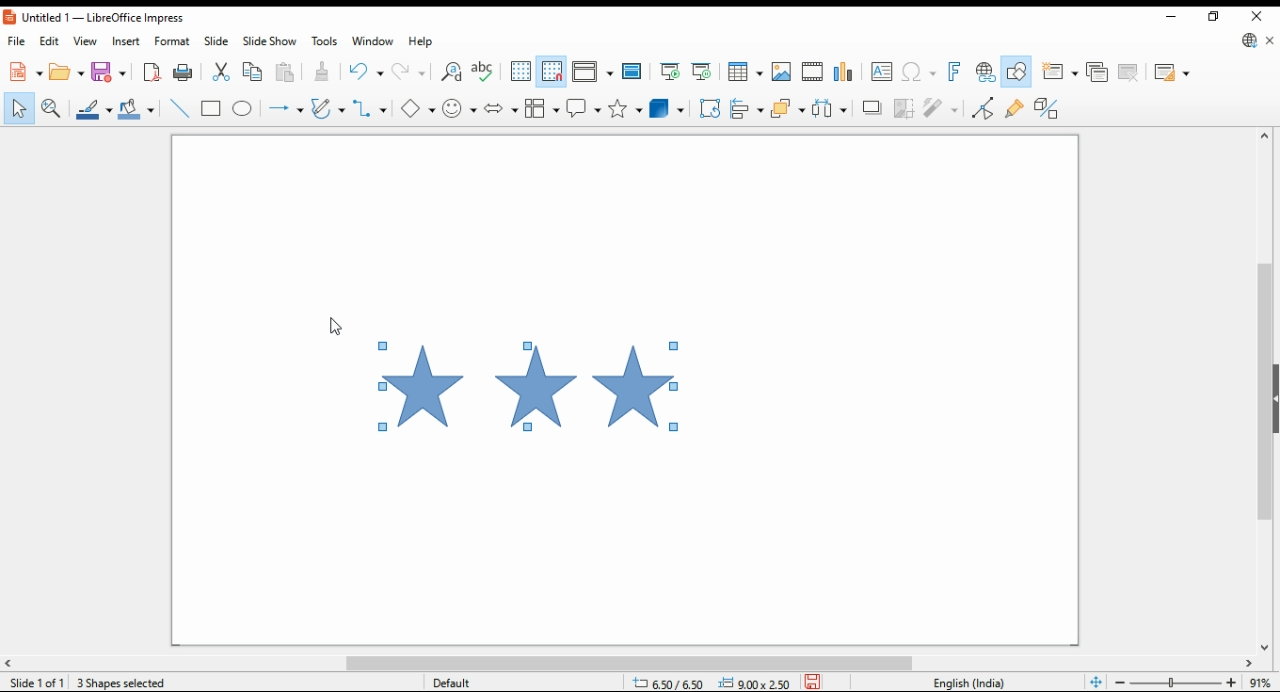  I want to click on edit, so click(48, 40).